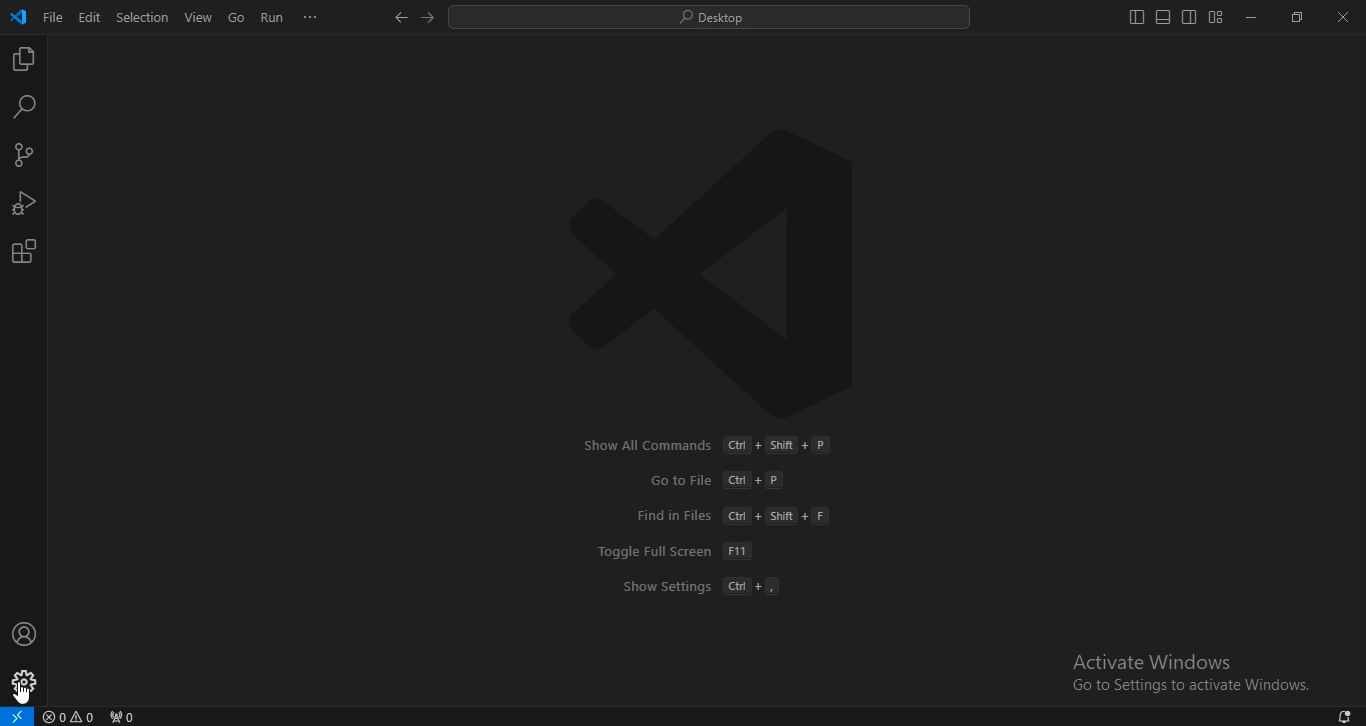 This screenshot has height=726, width=1366. Describe the element at coordinates (1294, 18) in the screenshot. I see `restore windows` at that location.